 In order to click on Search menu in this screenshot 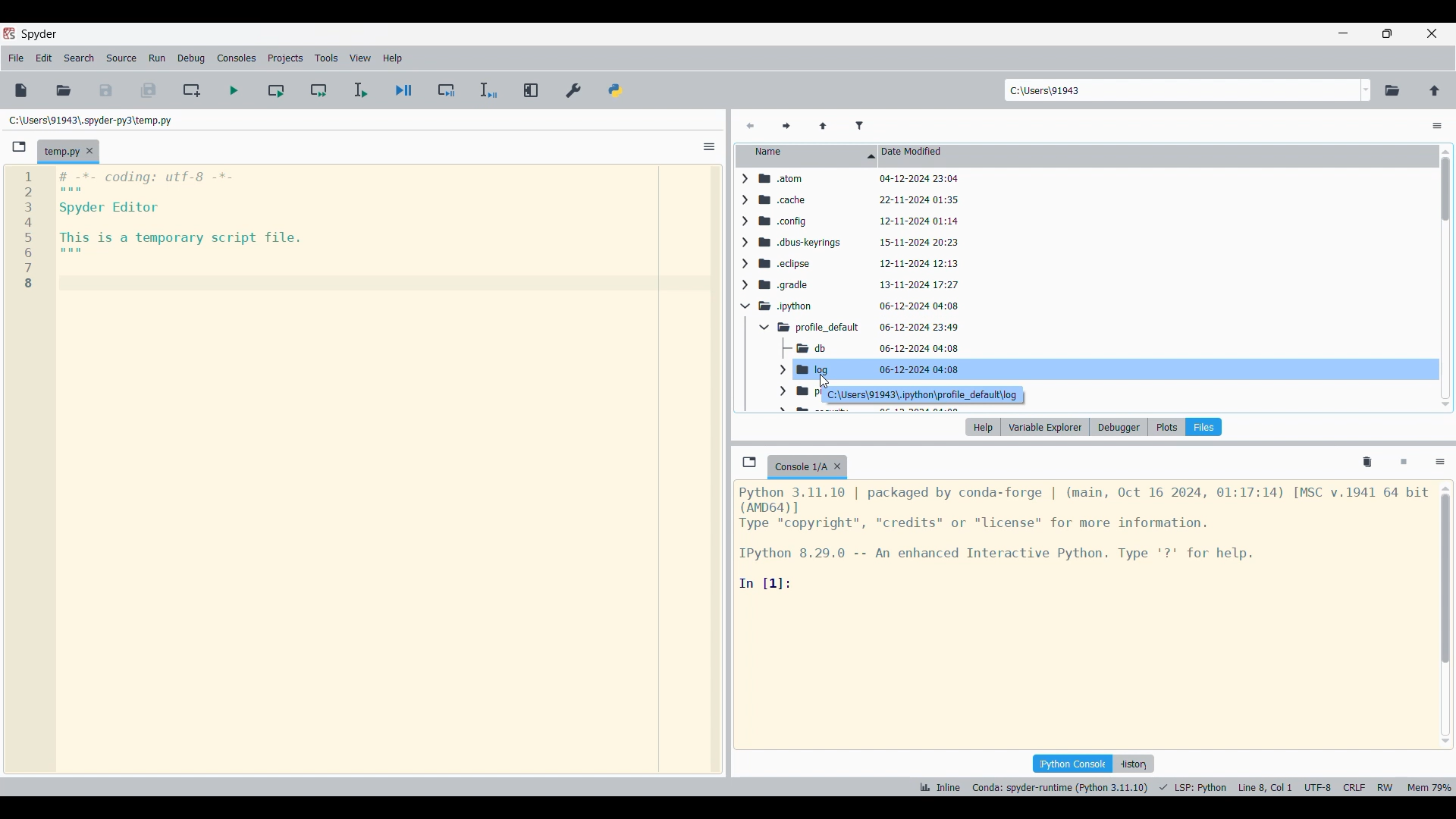, I will do `click(80, 58)`.